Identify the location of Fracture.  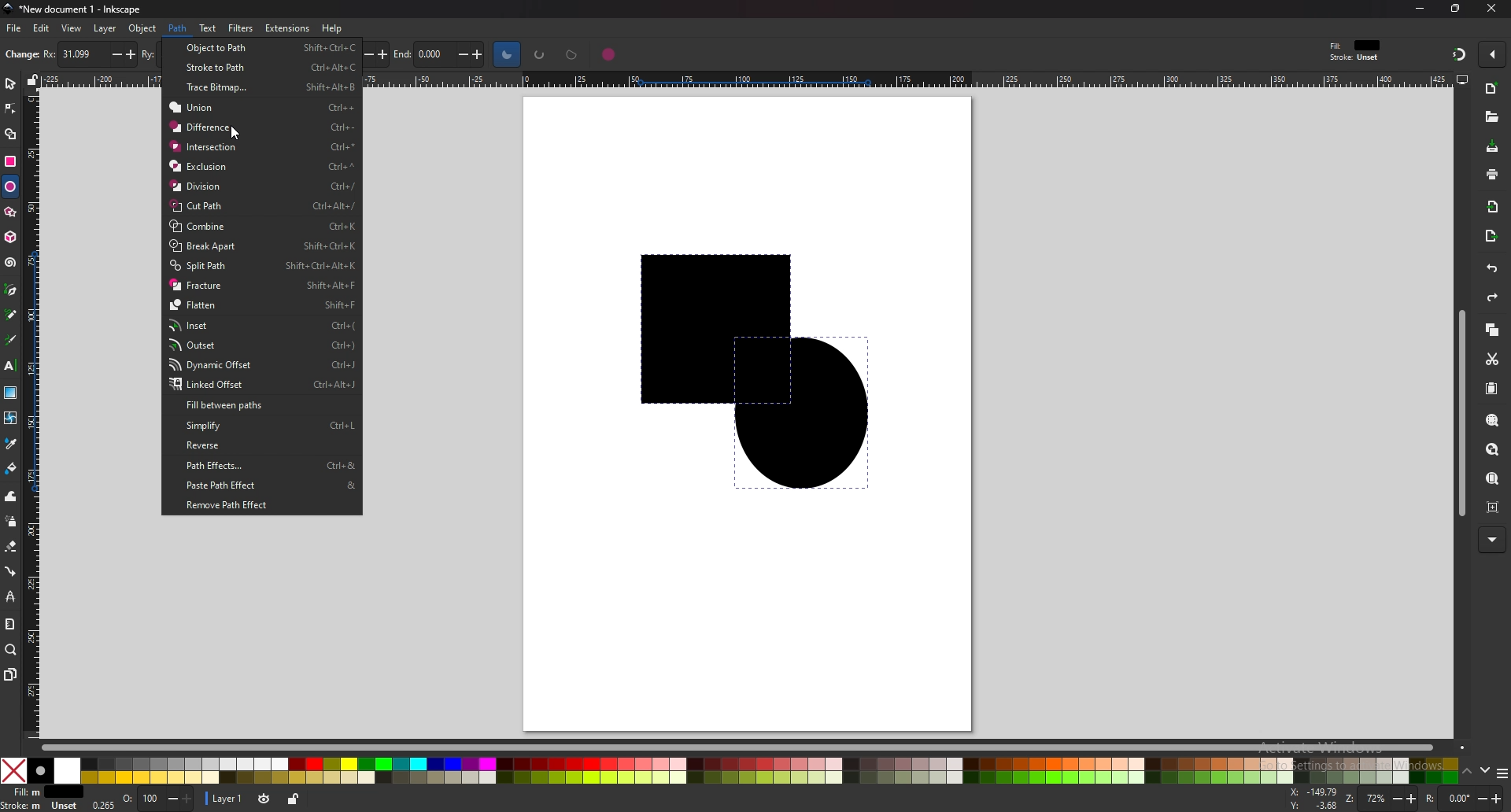
(261, 285).